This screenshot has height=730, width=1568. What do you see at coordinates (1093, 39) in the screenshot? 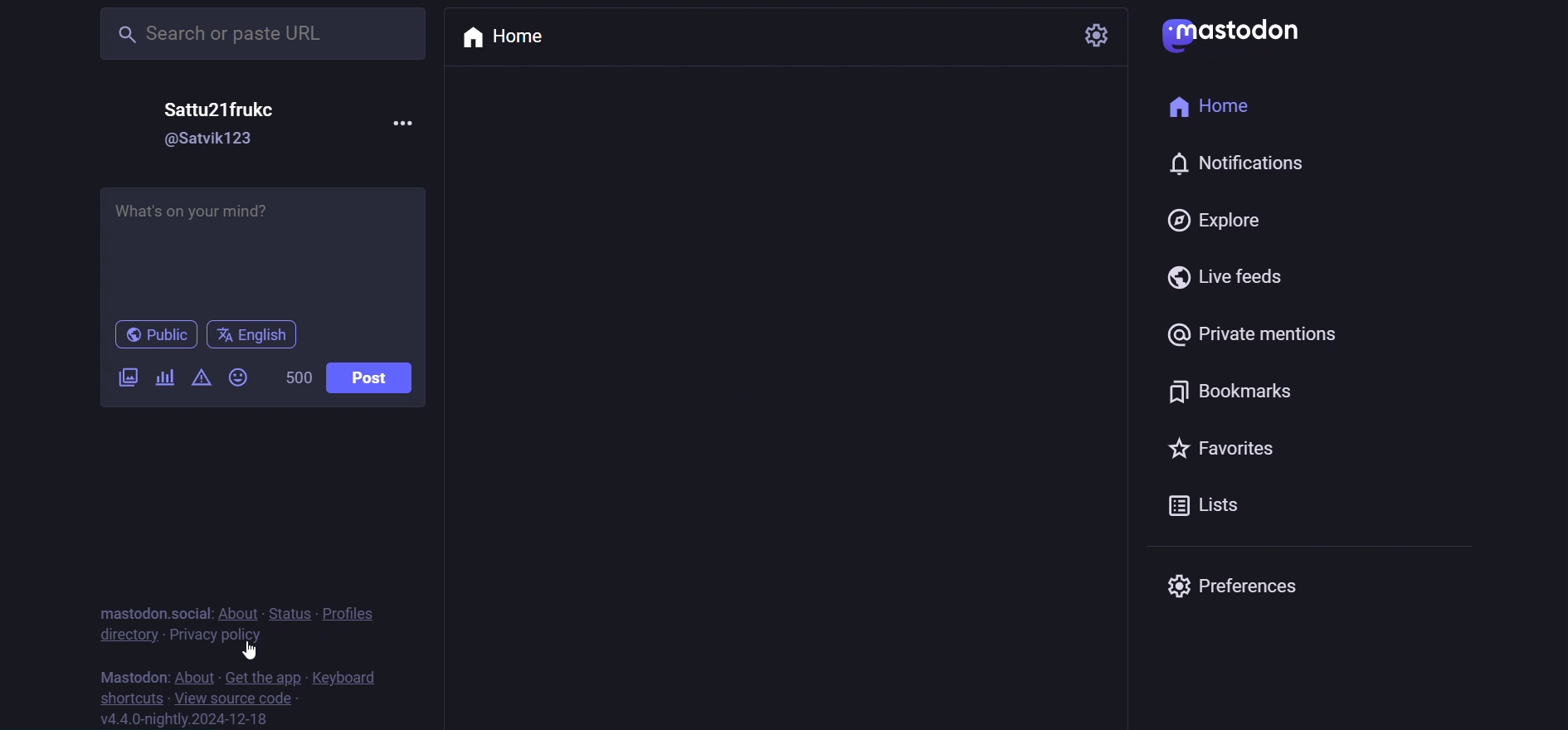
I see `setting` at bounding box center [1093, 39].